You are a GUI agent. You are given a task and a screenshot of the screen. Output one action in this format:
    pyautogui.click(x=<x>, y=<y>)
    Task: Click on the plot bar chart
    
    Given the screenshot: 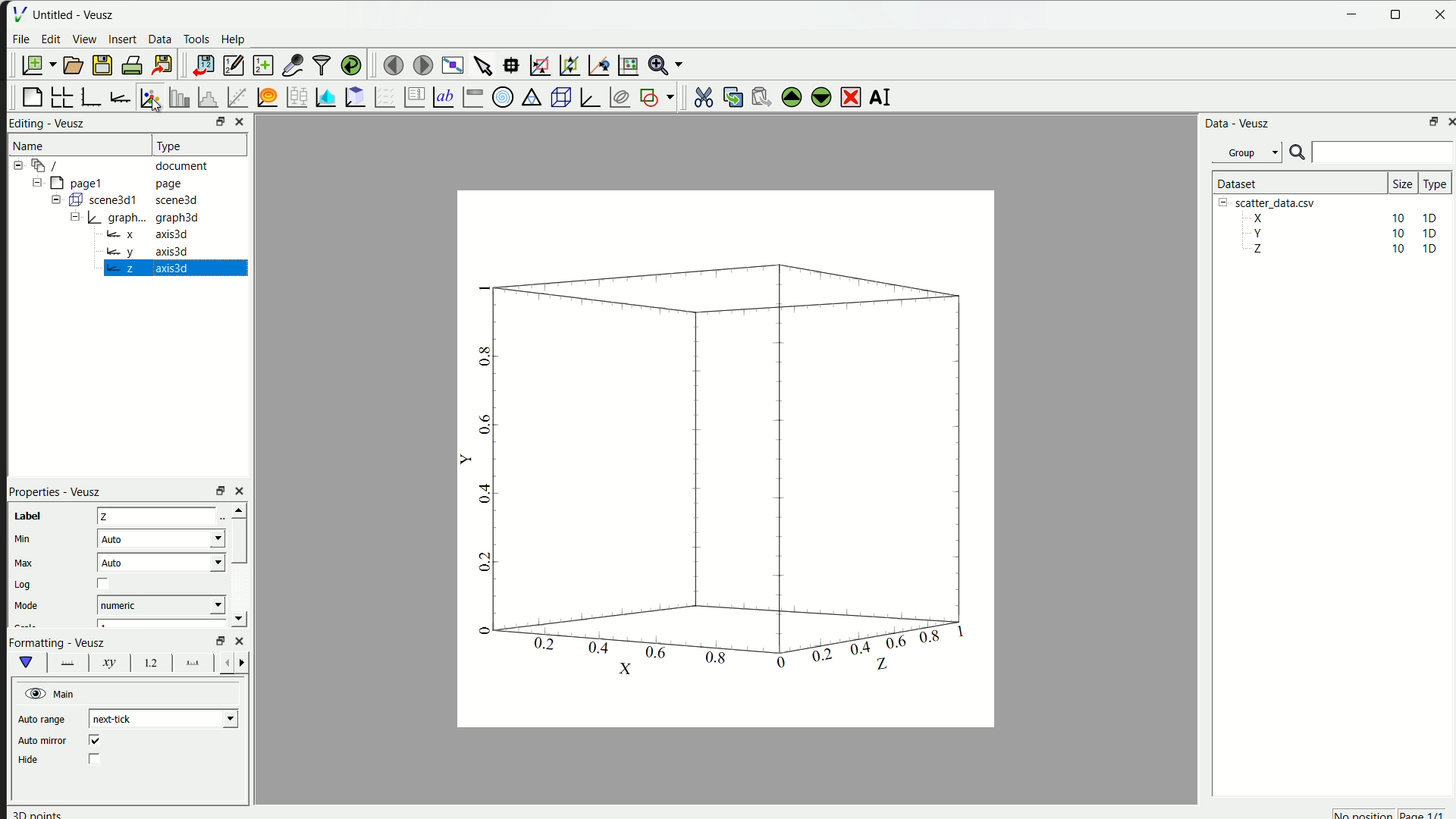 What is the action you would take?
    pyautogui.click(x=174, y=97)
    